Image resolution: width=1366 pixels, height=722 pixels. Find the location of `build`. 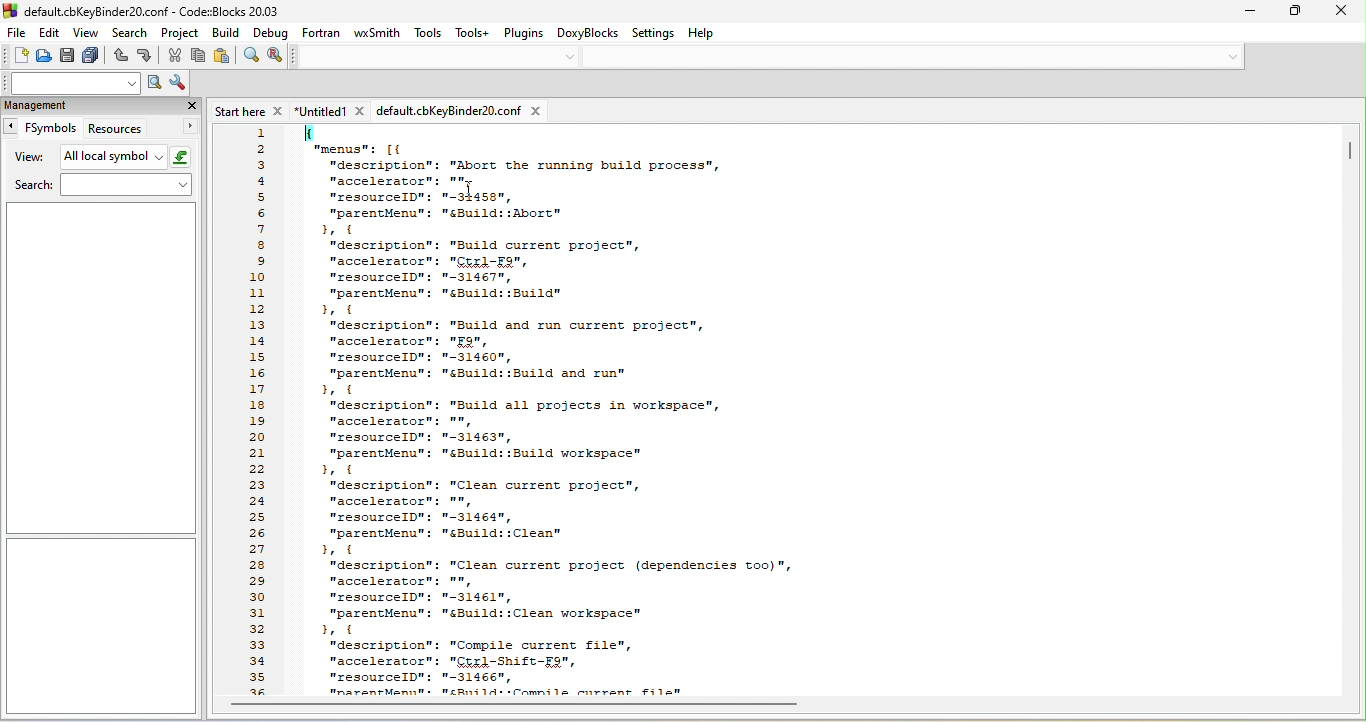

build is located at coordinates (224, 31).